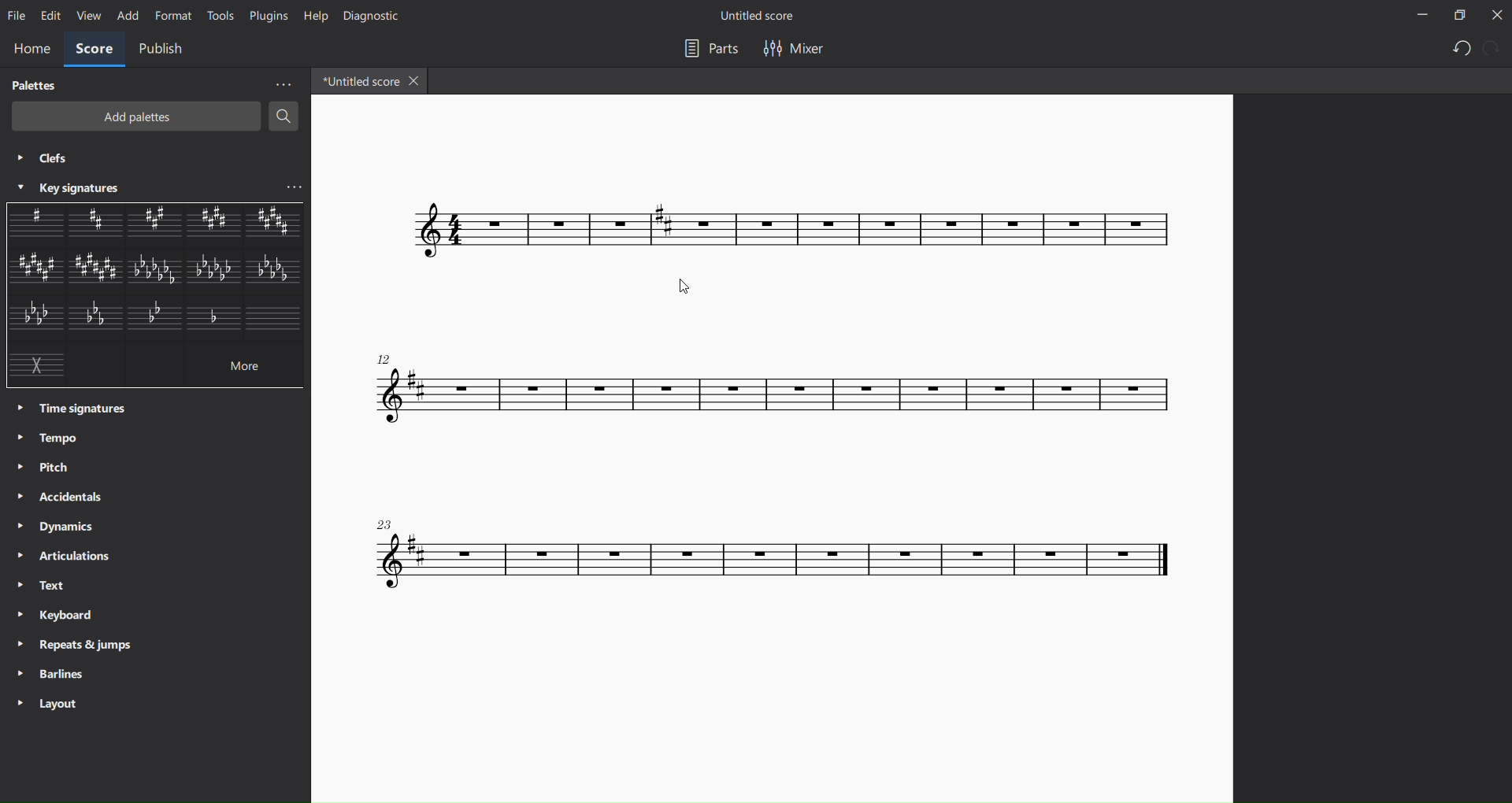  Describe the element at coordinates (49, 14) in the screenshot. I see `edit` at that location.